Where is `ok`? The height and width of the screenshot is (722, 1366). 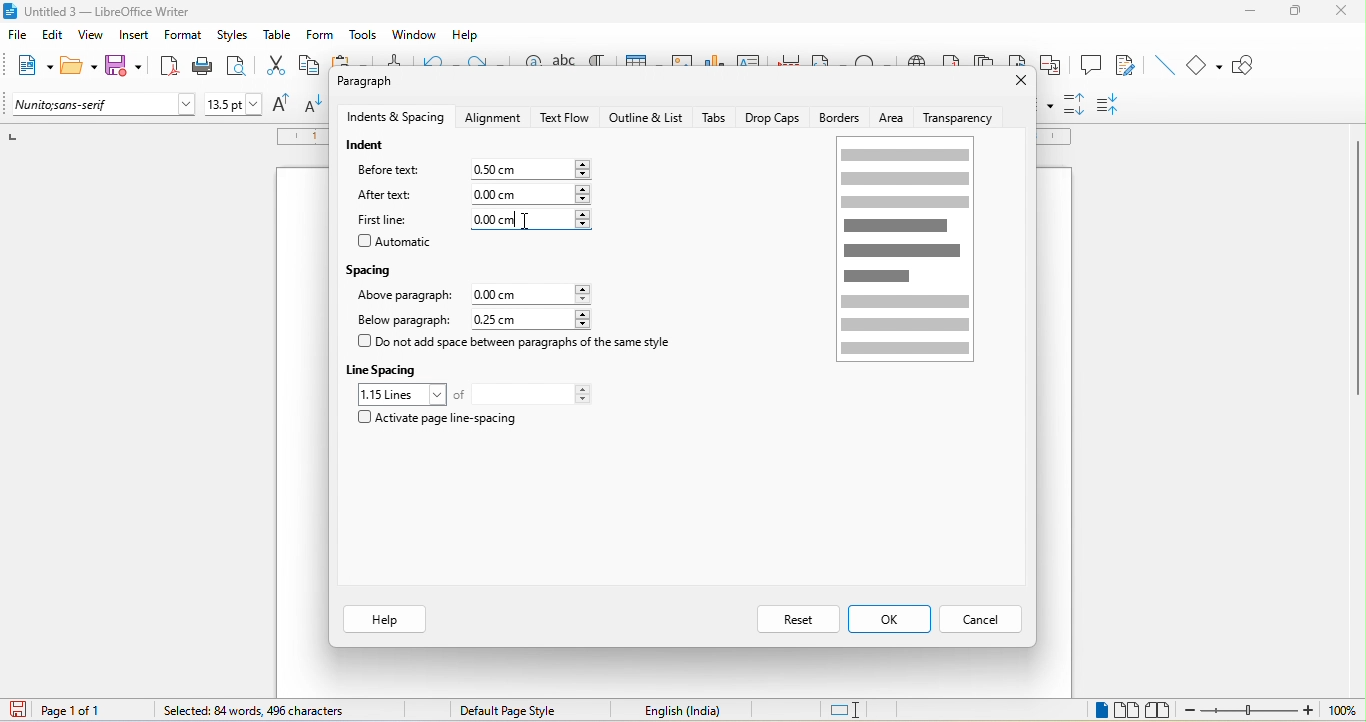
ok is located at coordinates (889, 619).